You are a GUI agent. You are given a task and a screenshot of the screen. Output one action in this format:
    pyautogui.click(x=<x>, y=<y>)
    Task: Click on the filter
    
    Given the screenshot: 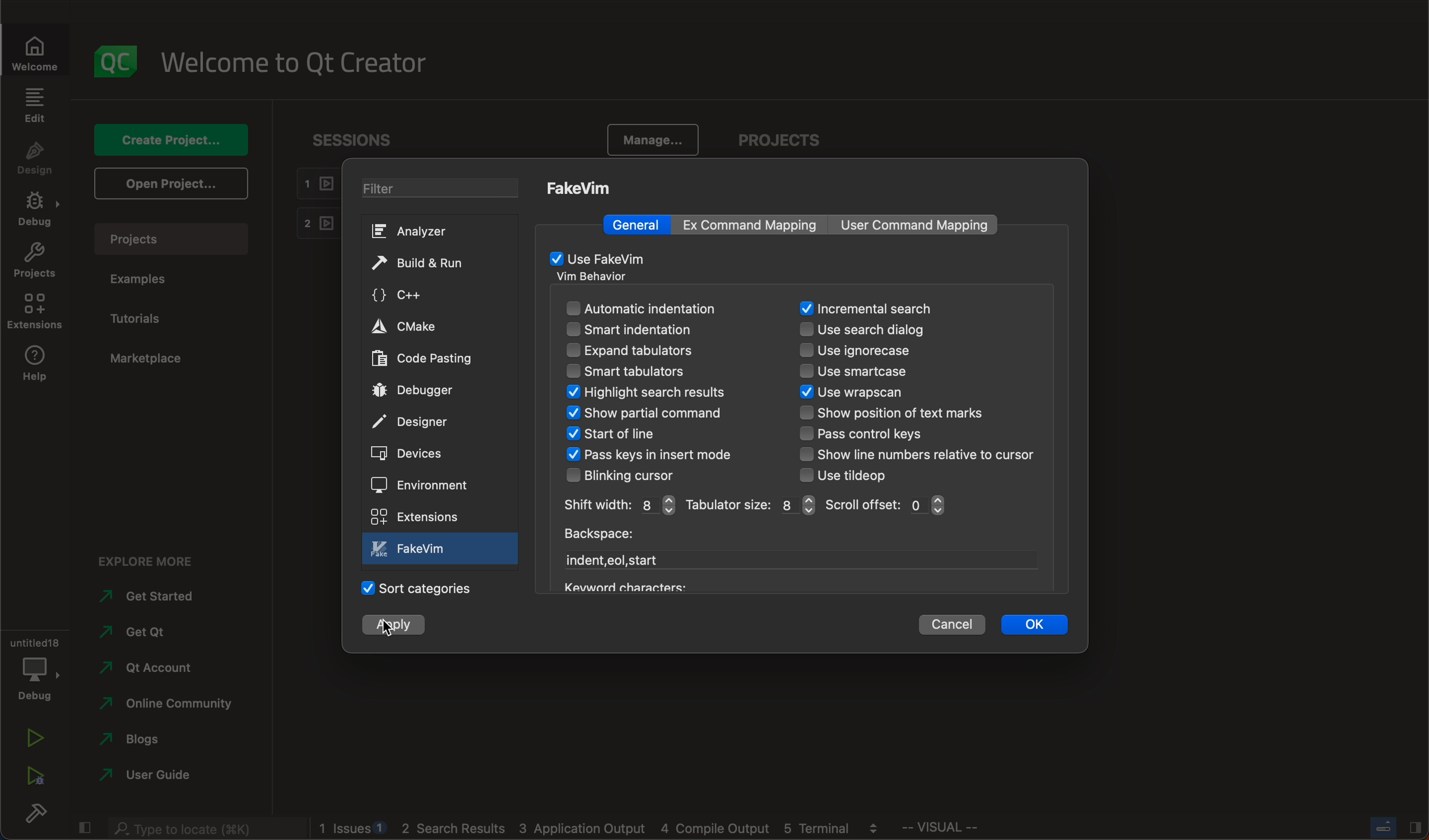 What is the action you would take?
    pyautogui.click(x=443, y=190)
    